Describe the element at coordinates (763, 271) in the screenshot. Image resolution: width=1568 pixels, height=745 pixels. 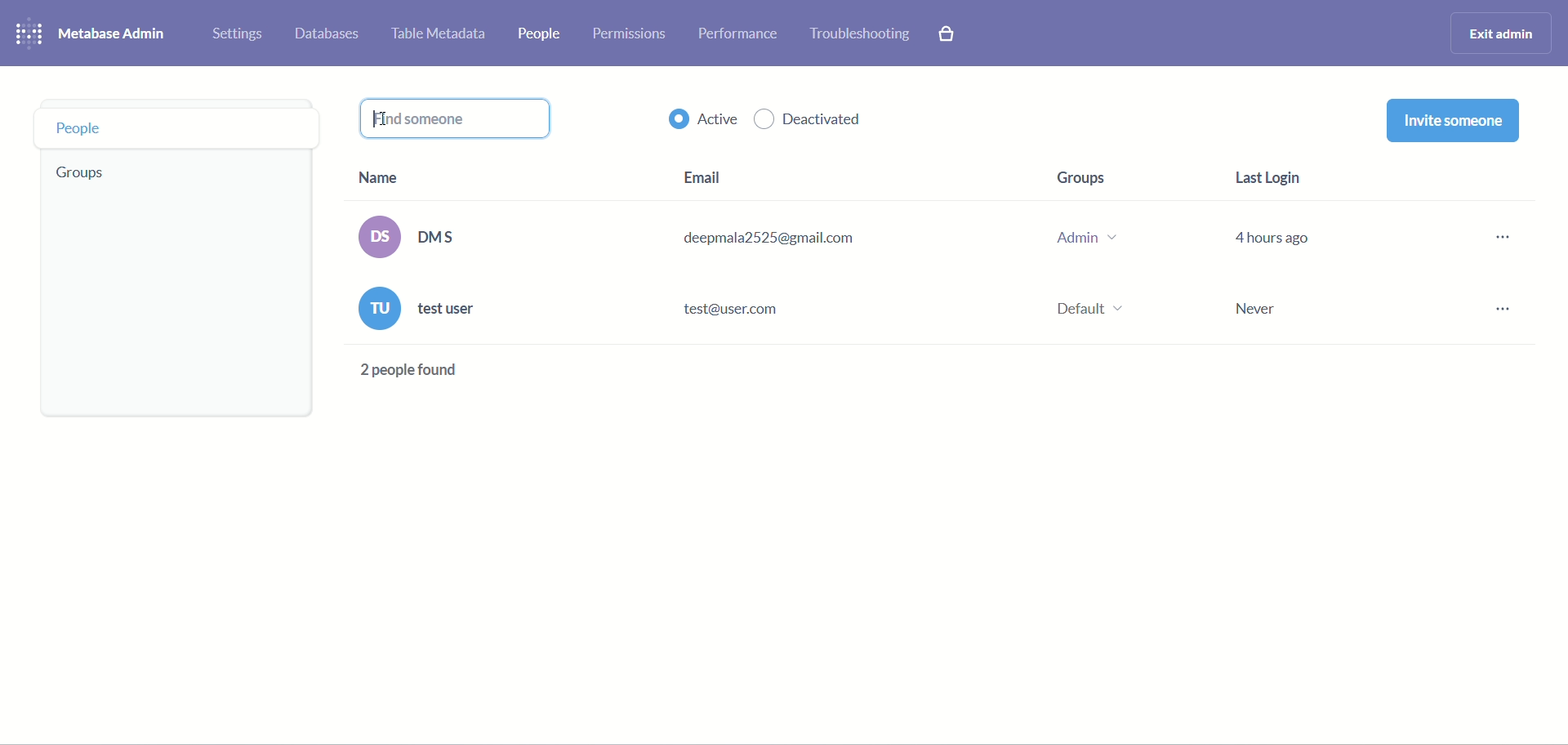
I see `email` at that location.